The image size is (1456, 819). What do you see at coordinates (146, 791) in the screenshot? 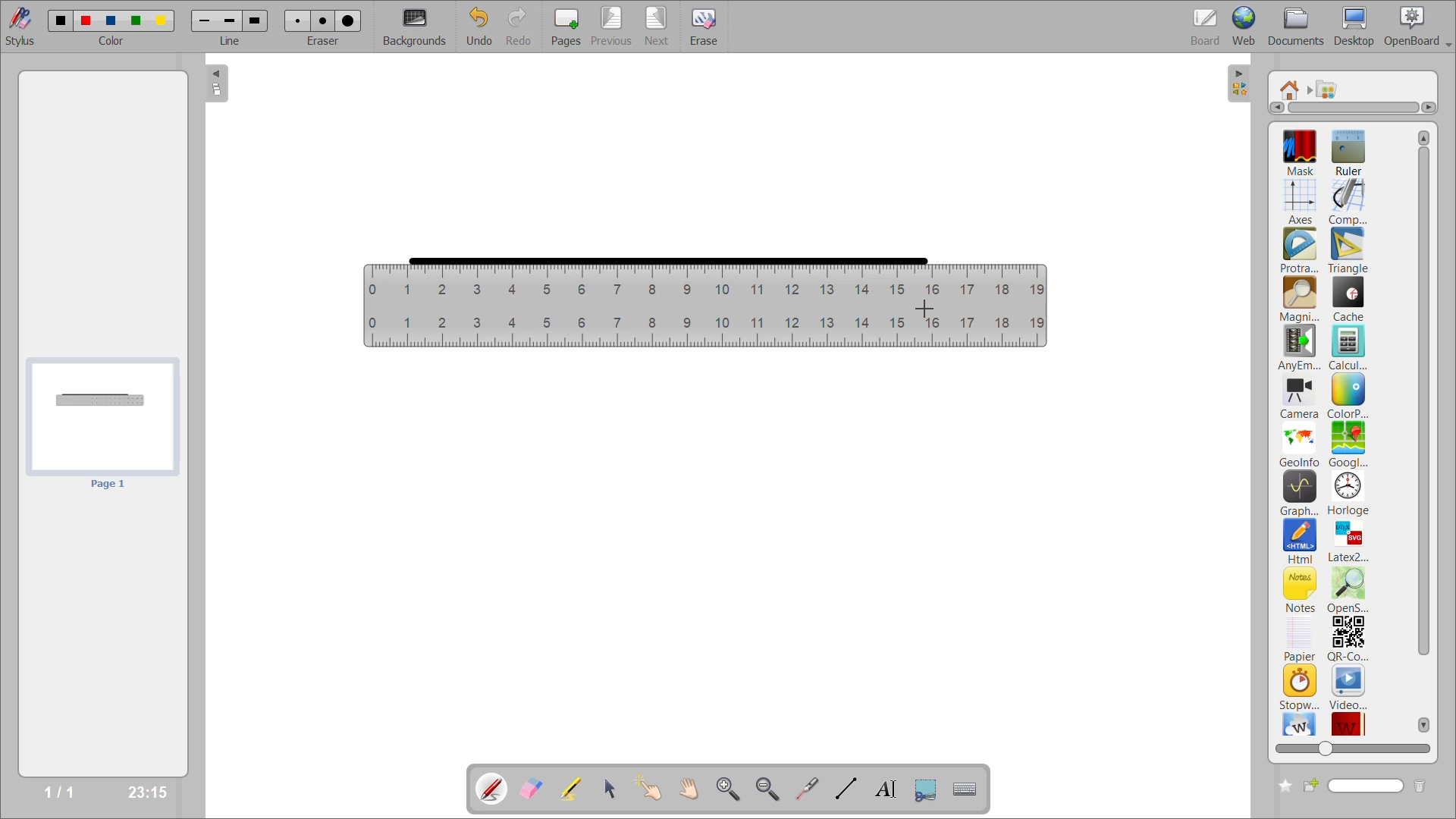
I see `23:15` at bounding box center [146, 791].